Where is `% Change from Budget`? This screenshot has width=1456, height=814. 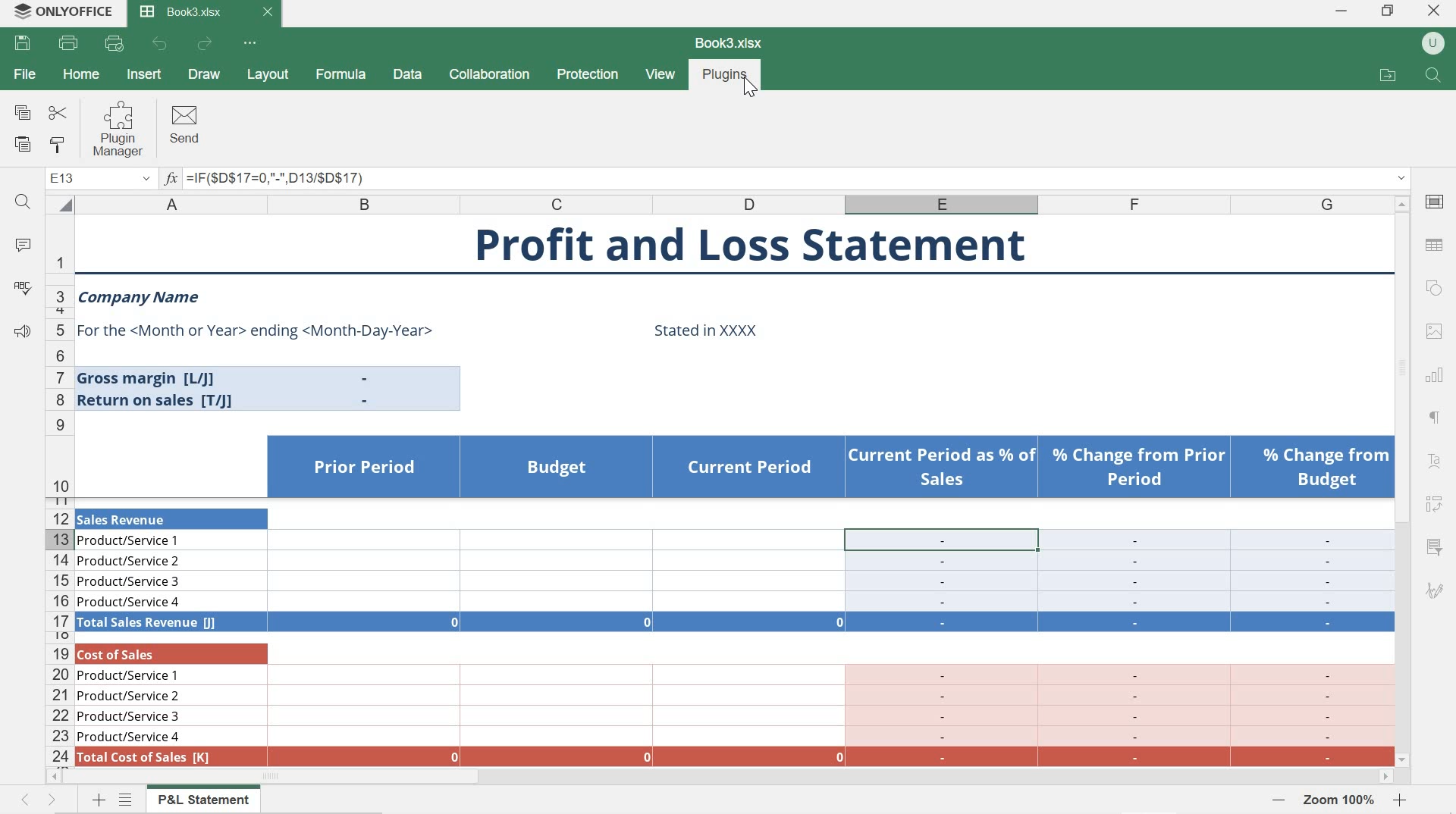
% Change from Budget is located at coordinates (1326, 469).